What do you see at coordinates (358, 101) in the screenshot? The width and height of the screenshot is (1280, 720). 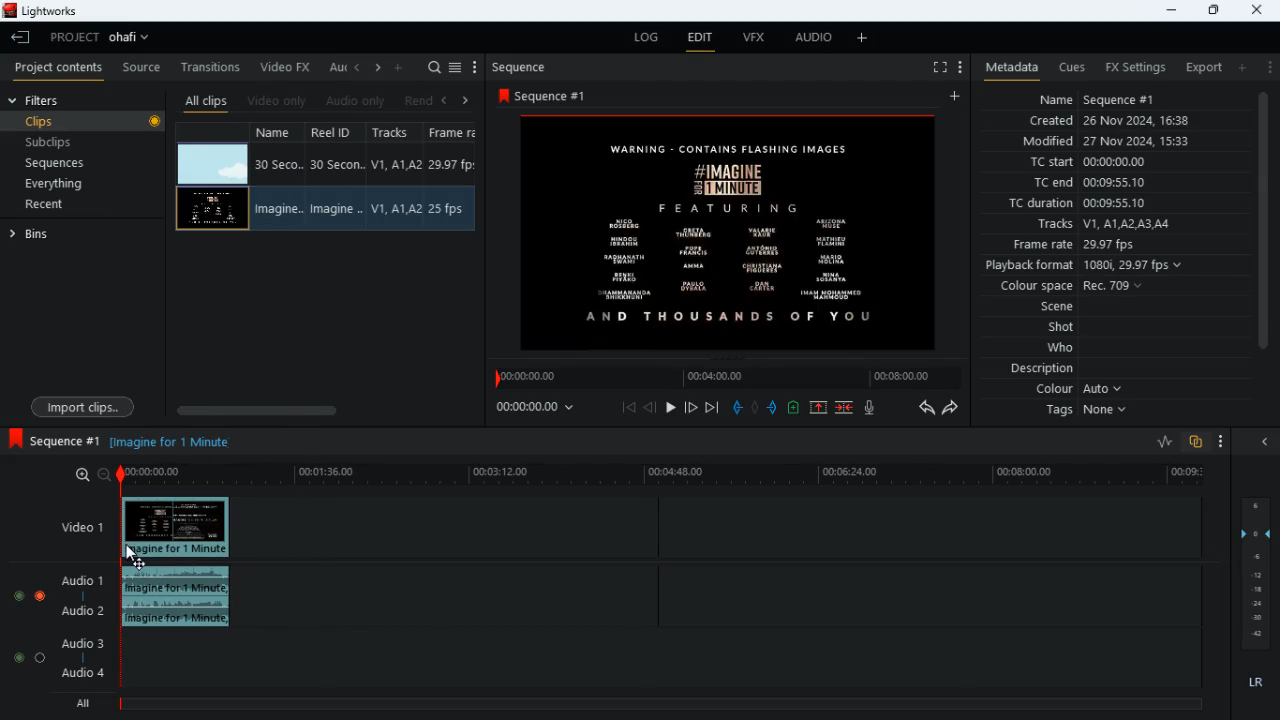 I see `audio only` at bounding box center [358, 101].